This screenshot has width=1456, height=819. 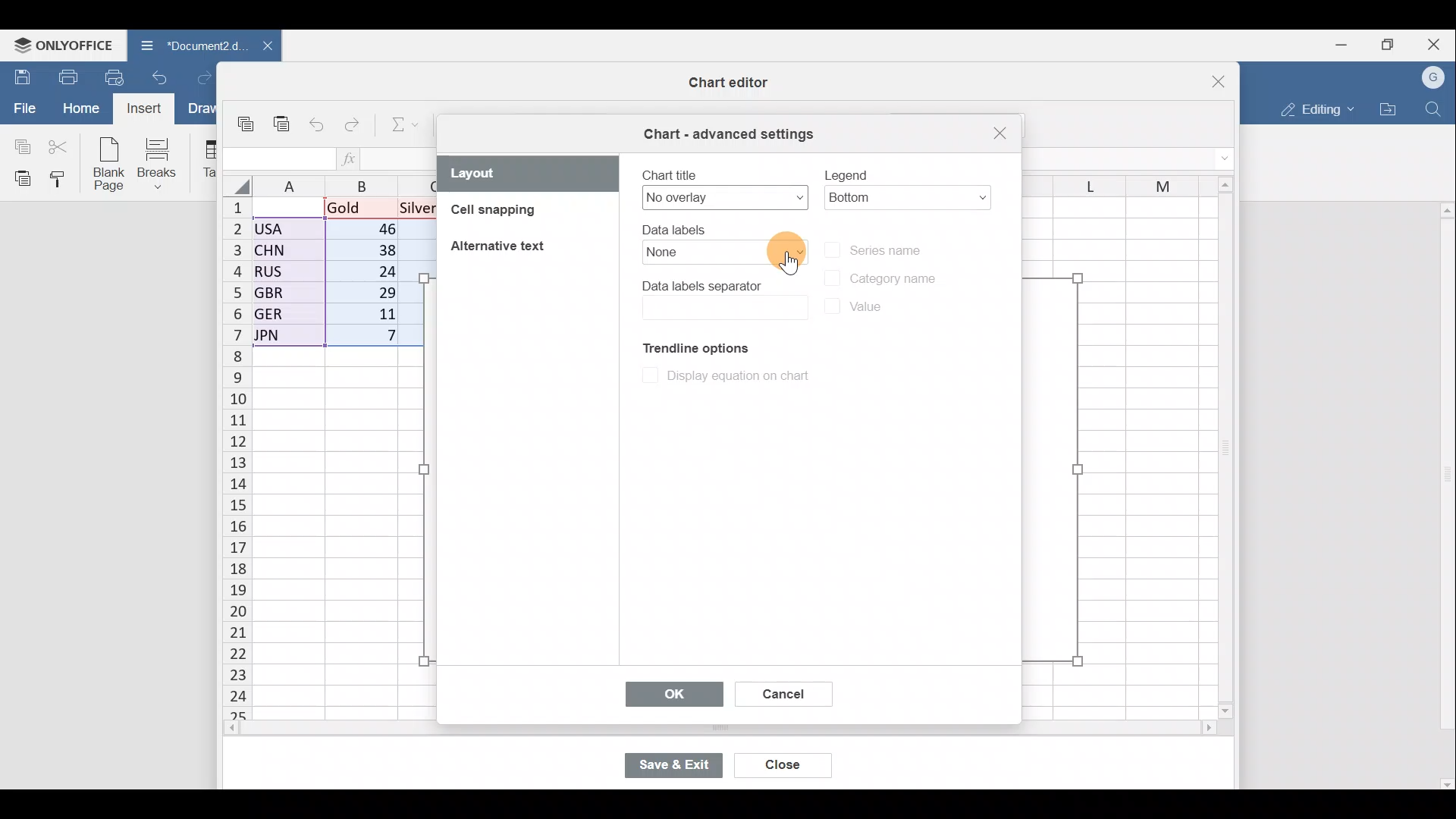 What do you see at coordinates (688, 345) in the screenshot?
I see `Trendline options` at bounding box center [688, 345].